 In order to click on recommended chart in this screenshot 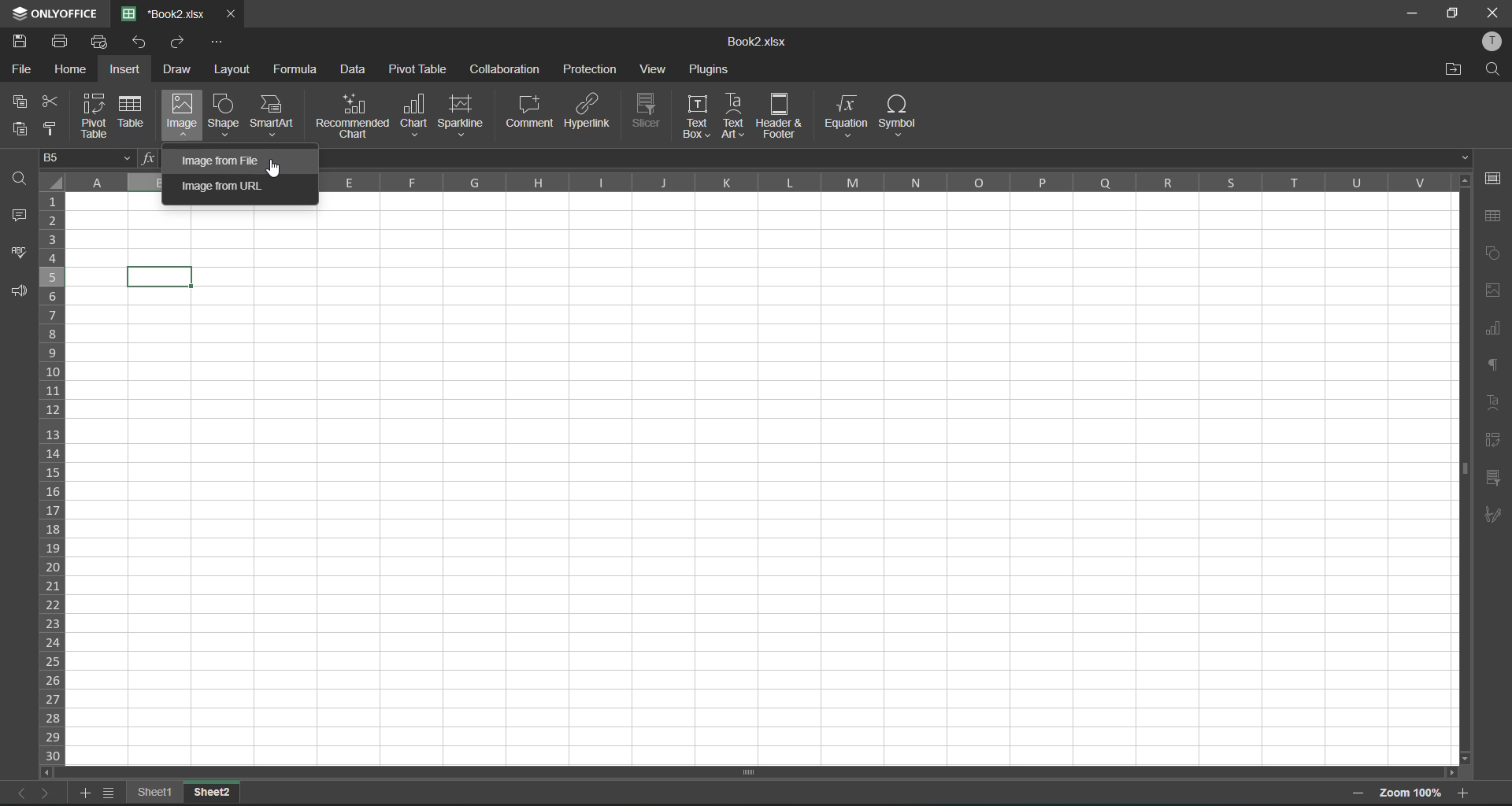, I will do `click(353, 115)`.